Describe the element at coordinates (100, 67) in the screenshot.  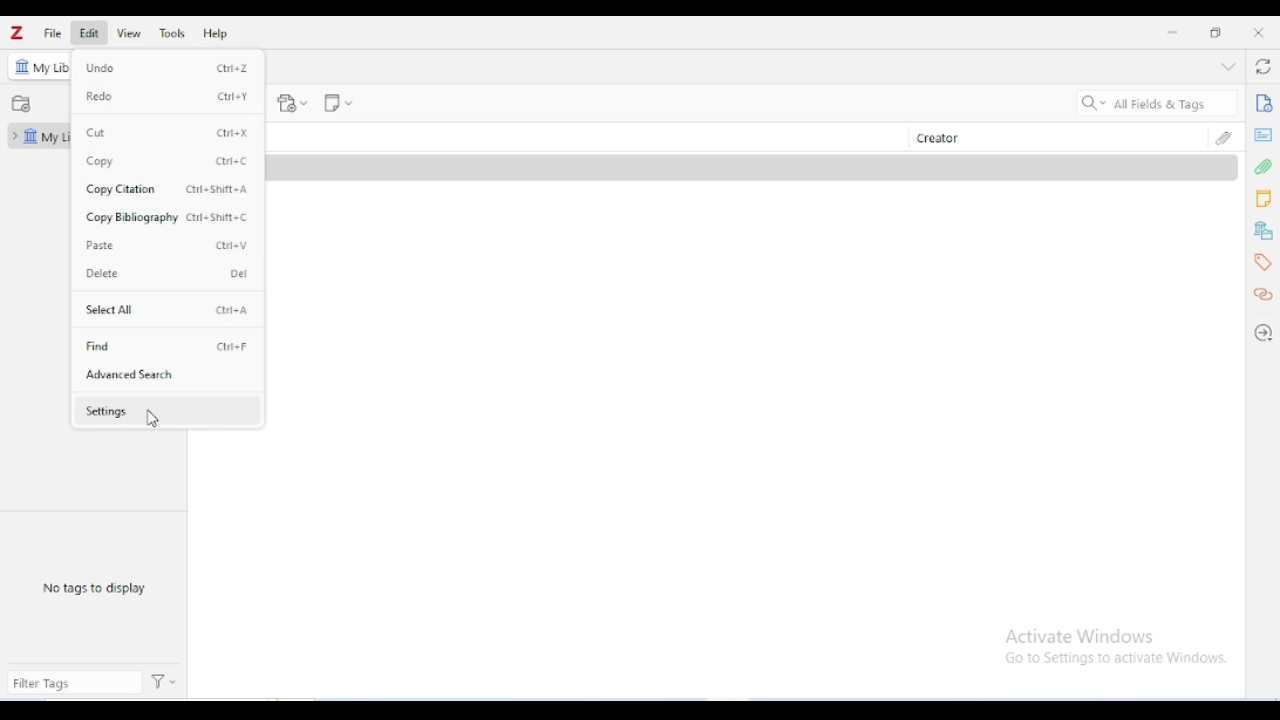
I see `undo` at that location.